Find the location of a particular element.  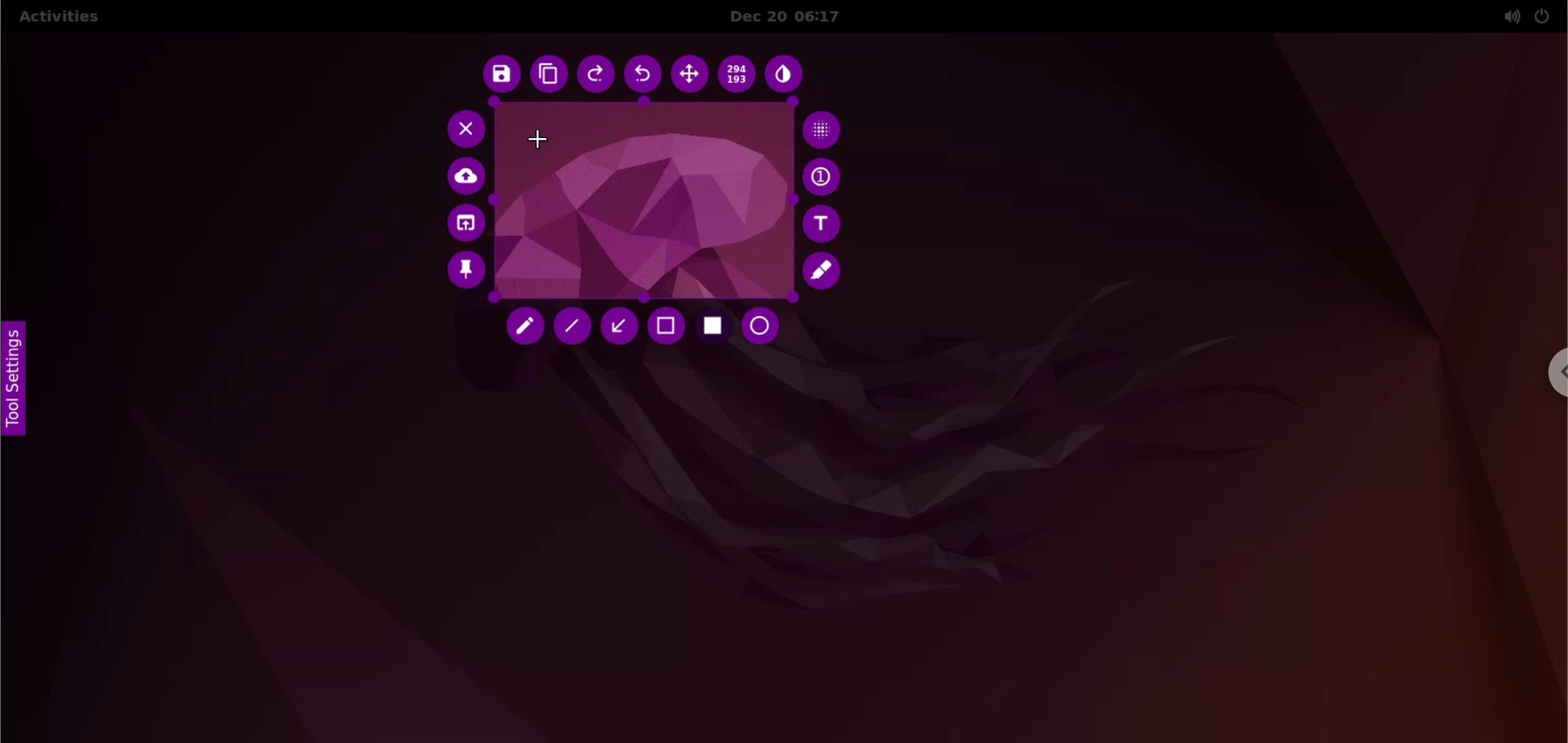

cancel capture is located at coordinates (461, 128).